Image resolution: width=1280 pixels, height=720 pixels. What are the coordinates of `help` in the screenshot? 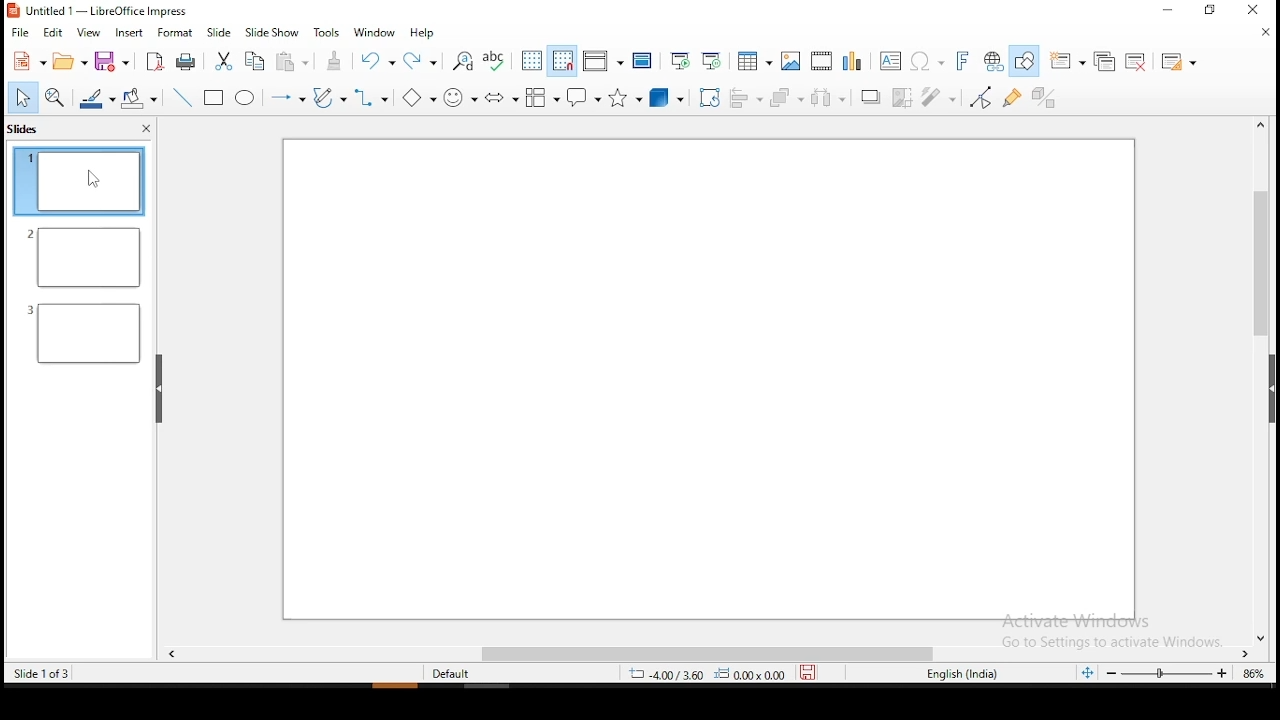 It's located at (422, 32).